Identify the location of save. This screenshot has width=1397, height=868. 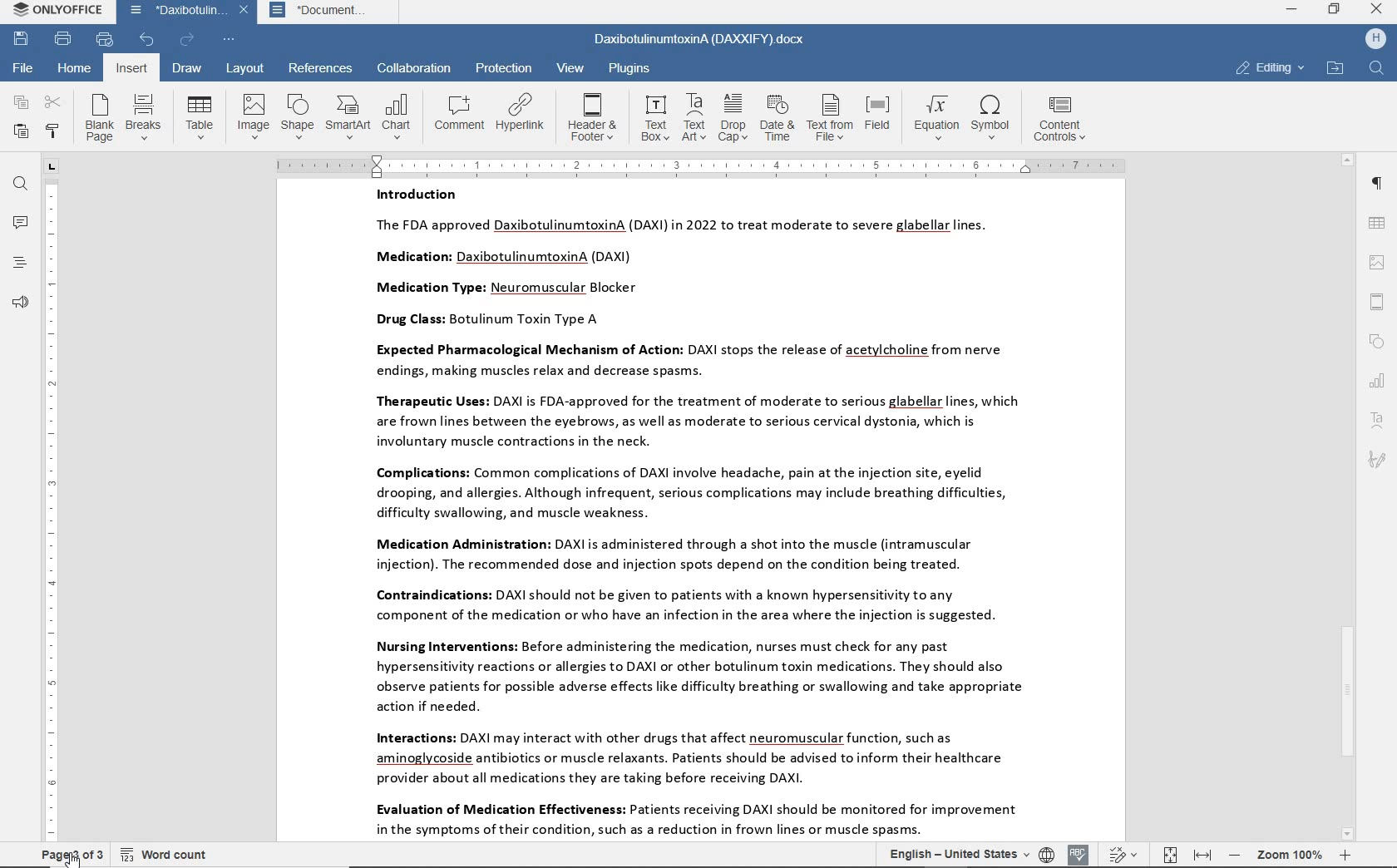
(22, 39).